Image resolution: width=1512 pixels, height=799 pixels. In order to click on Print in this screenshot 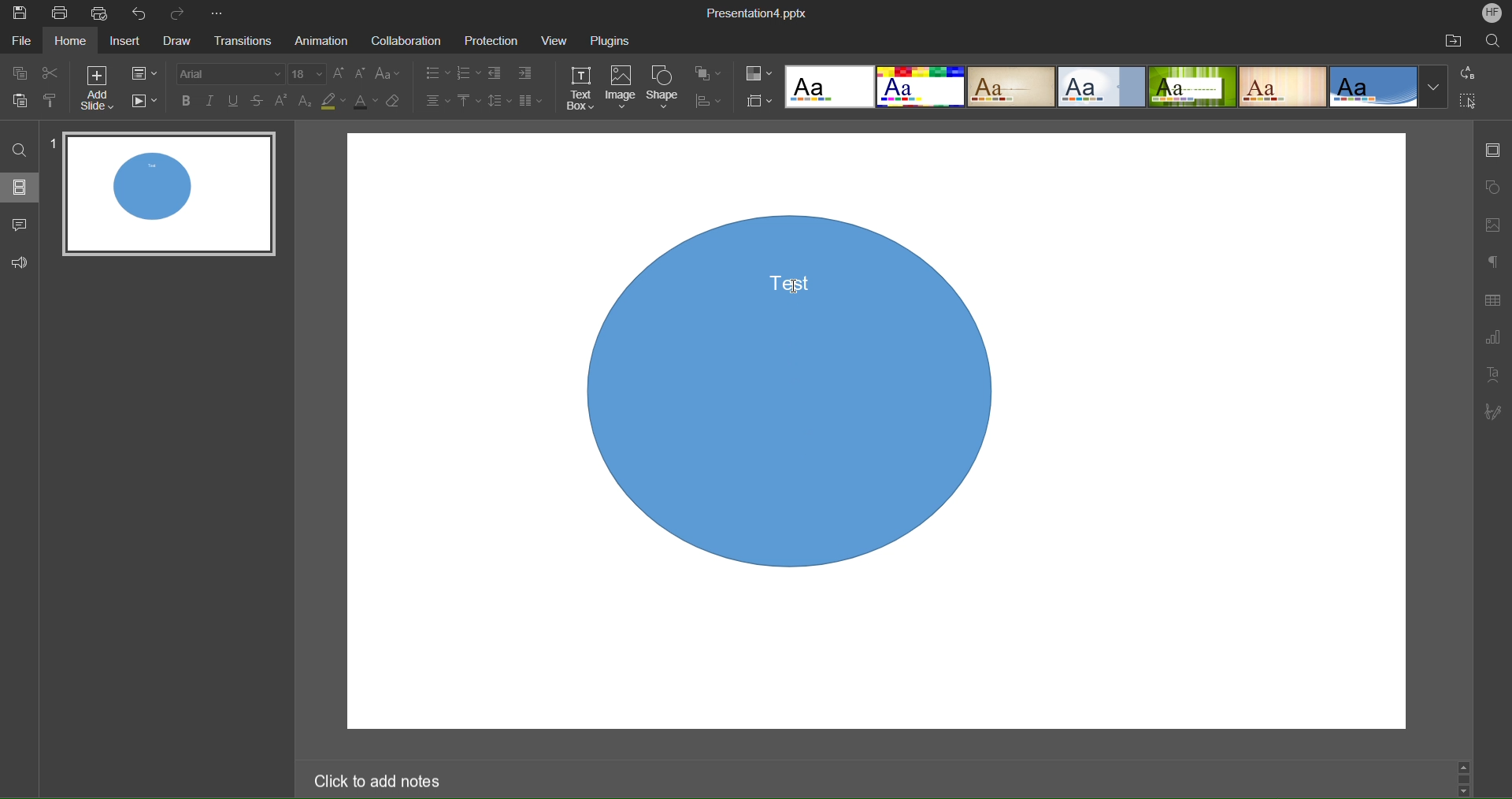, I will do `click(65, 15)`.